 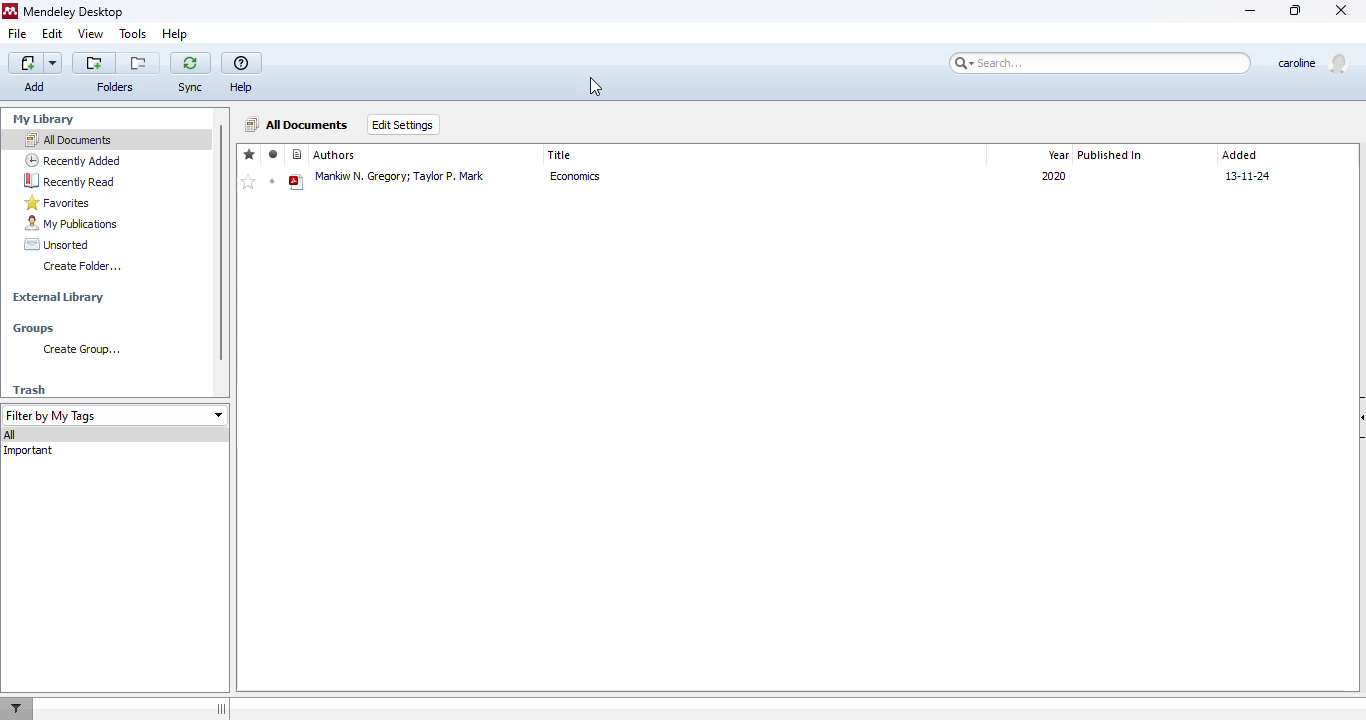 I want to click on add, so click(x=36, y=73).